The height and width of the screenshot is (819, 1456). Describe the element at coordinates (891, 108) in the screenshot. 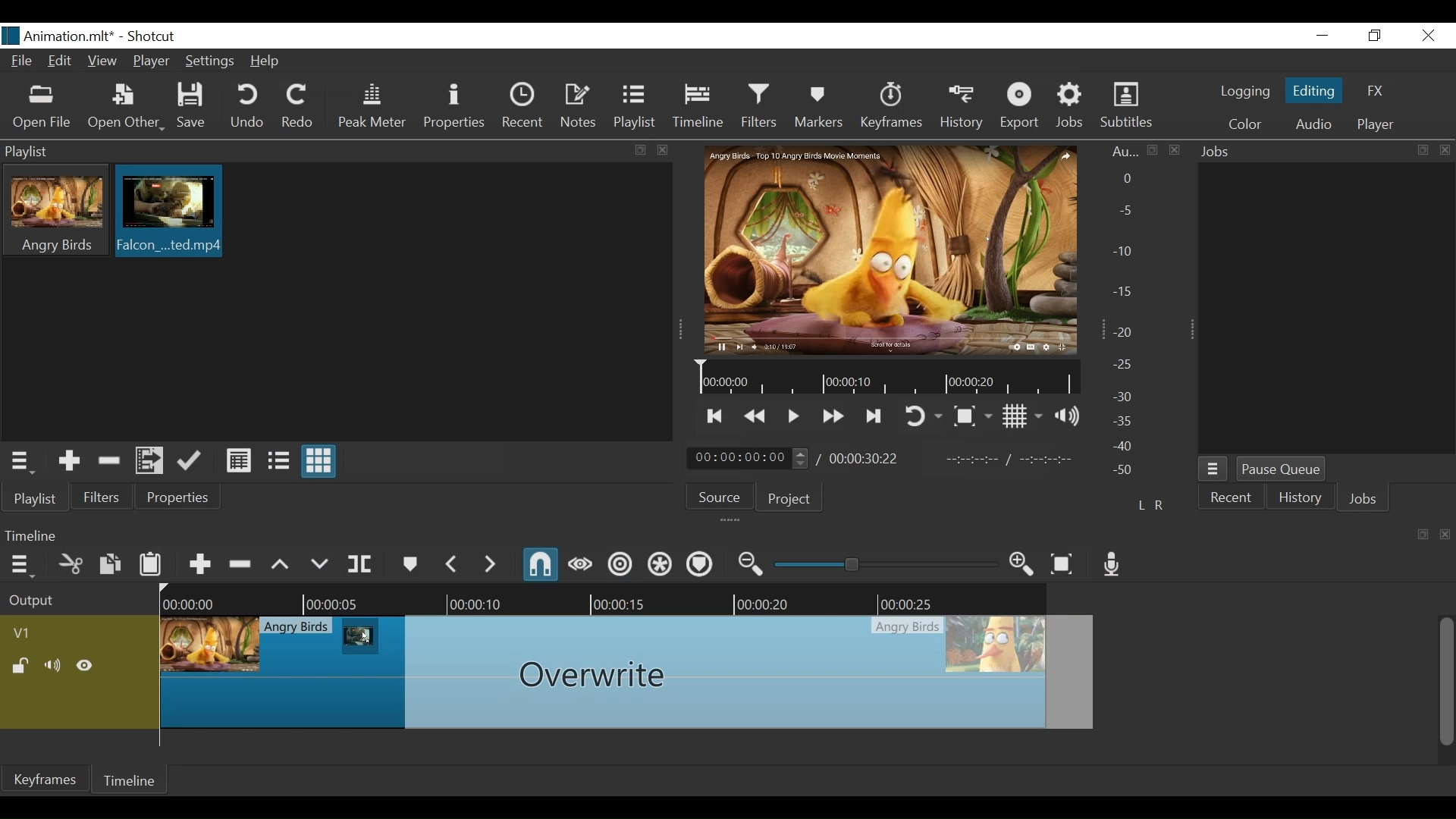

I see `Keyframes` at that location.